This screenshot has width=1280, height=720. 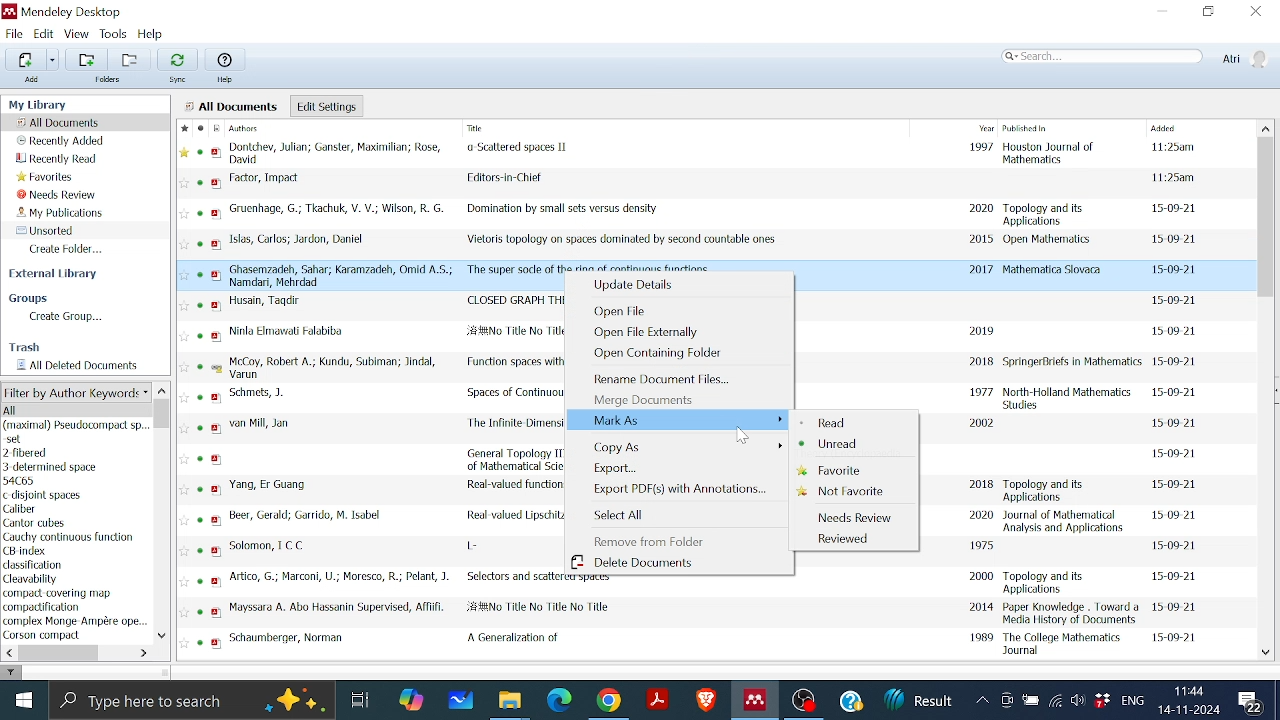 I want to click on classification, so click(x=36, y=564).